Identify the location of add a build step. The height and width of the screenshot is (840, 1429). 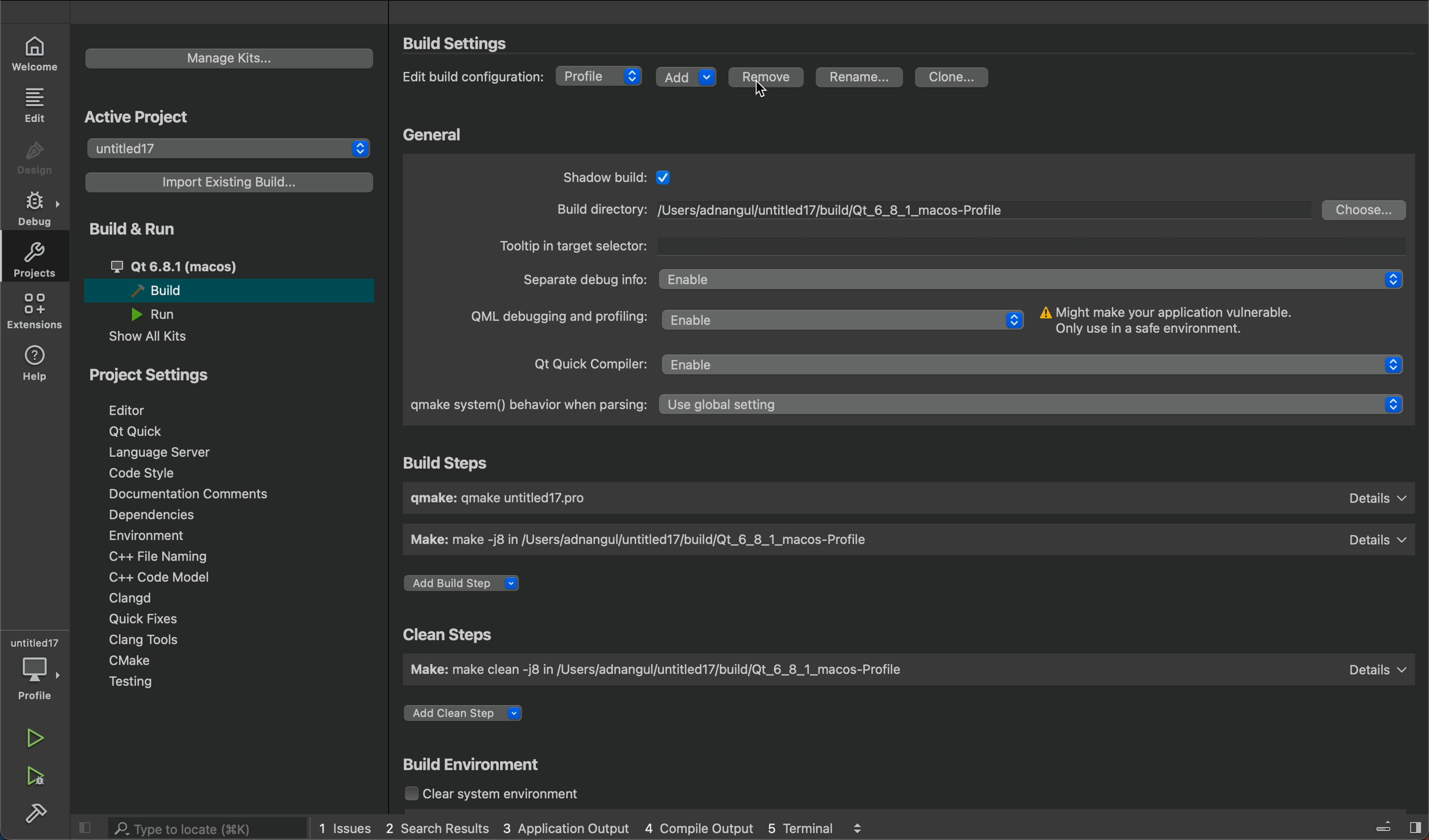
(467, 583).